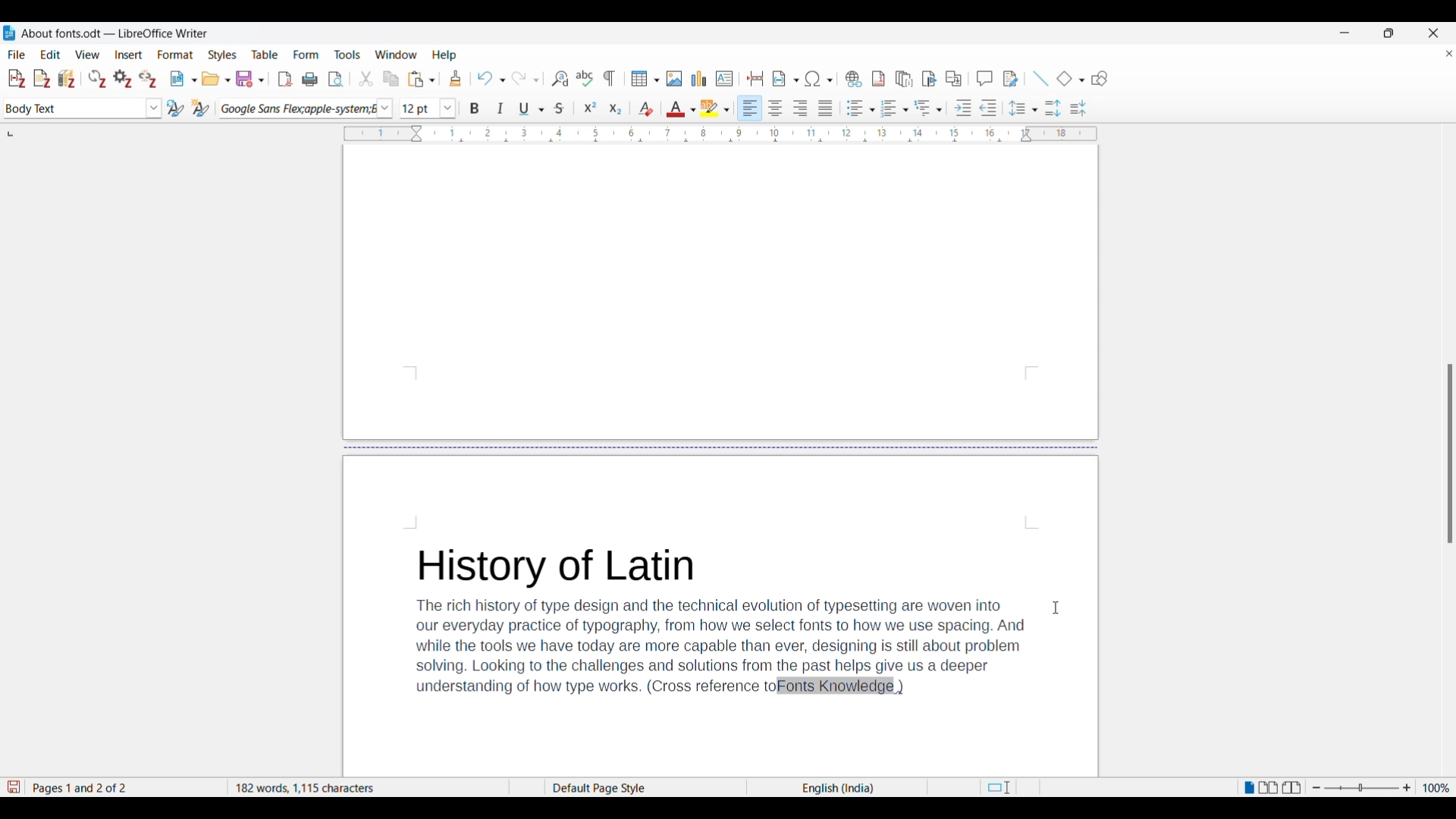 This screenshot has height=819, width=1456. Describe the element at coordinates (1078, 108) in the screenshot. I see `Decrease paragraph spacing` at that location.